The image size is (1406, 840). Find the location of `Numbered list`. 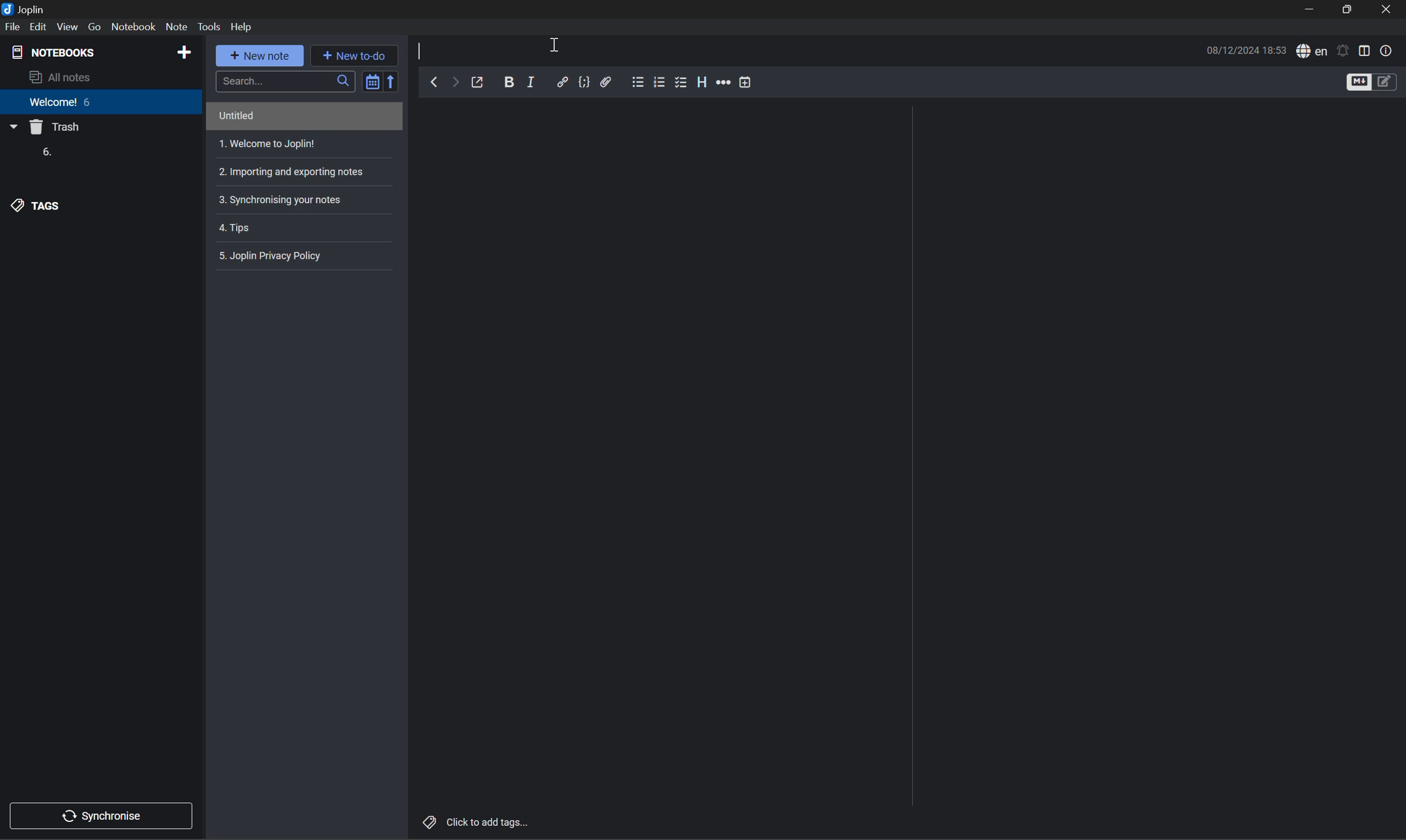

Numbered list is located at coordinates (660, 82).